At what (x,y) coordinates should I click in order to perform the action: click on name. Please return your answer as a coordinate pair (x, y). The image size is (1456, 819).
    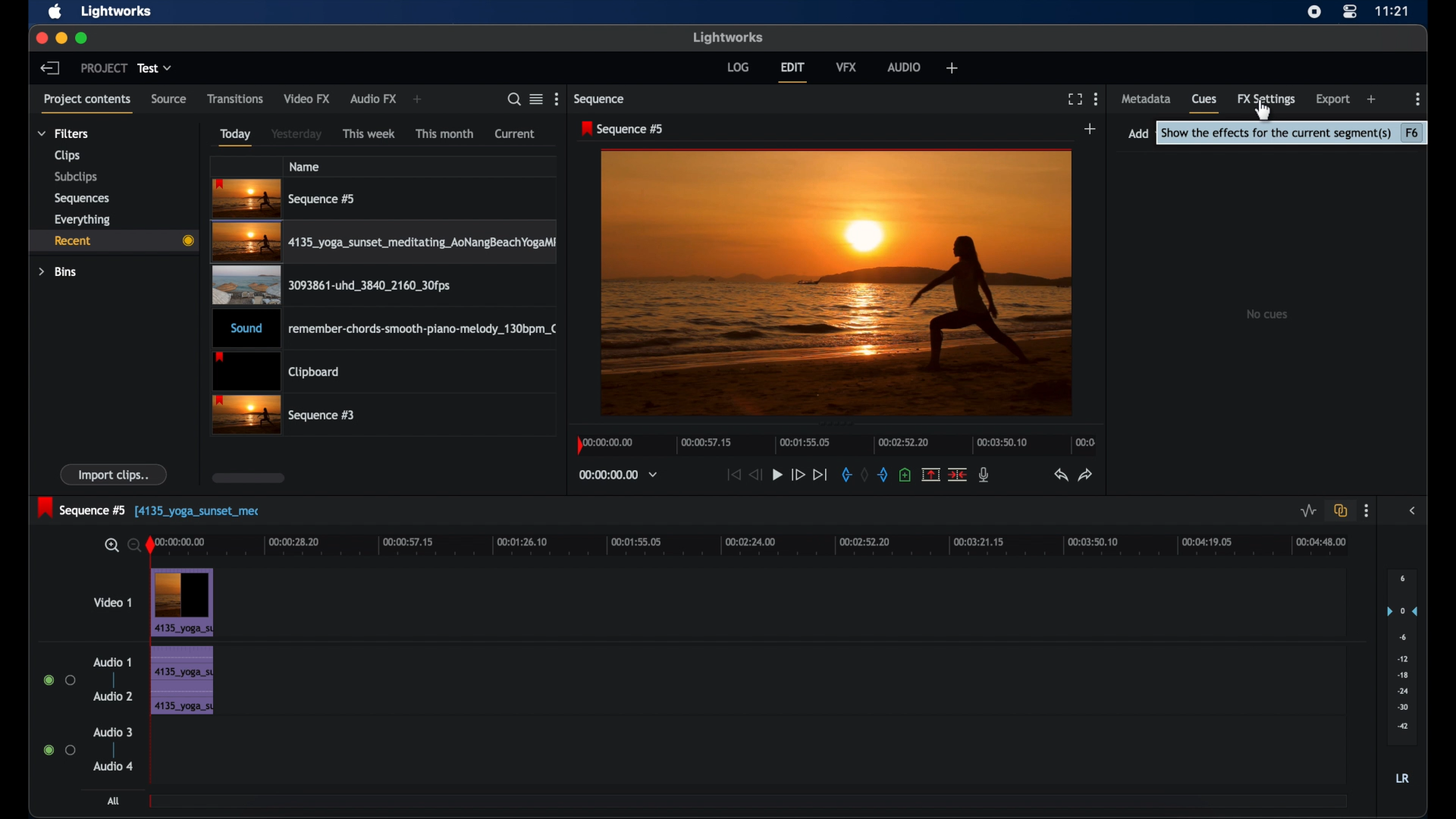
    Looking at the image, I should click on (306, 166).